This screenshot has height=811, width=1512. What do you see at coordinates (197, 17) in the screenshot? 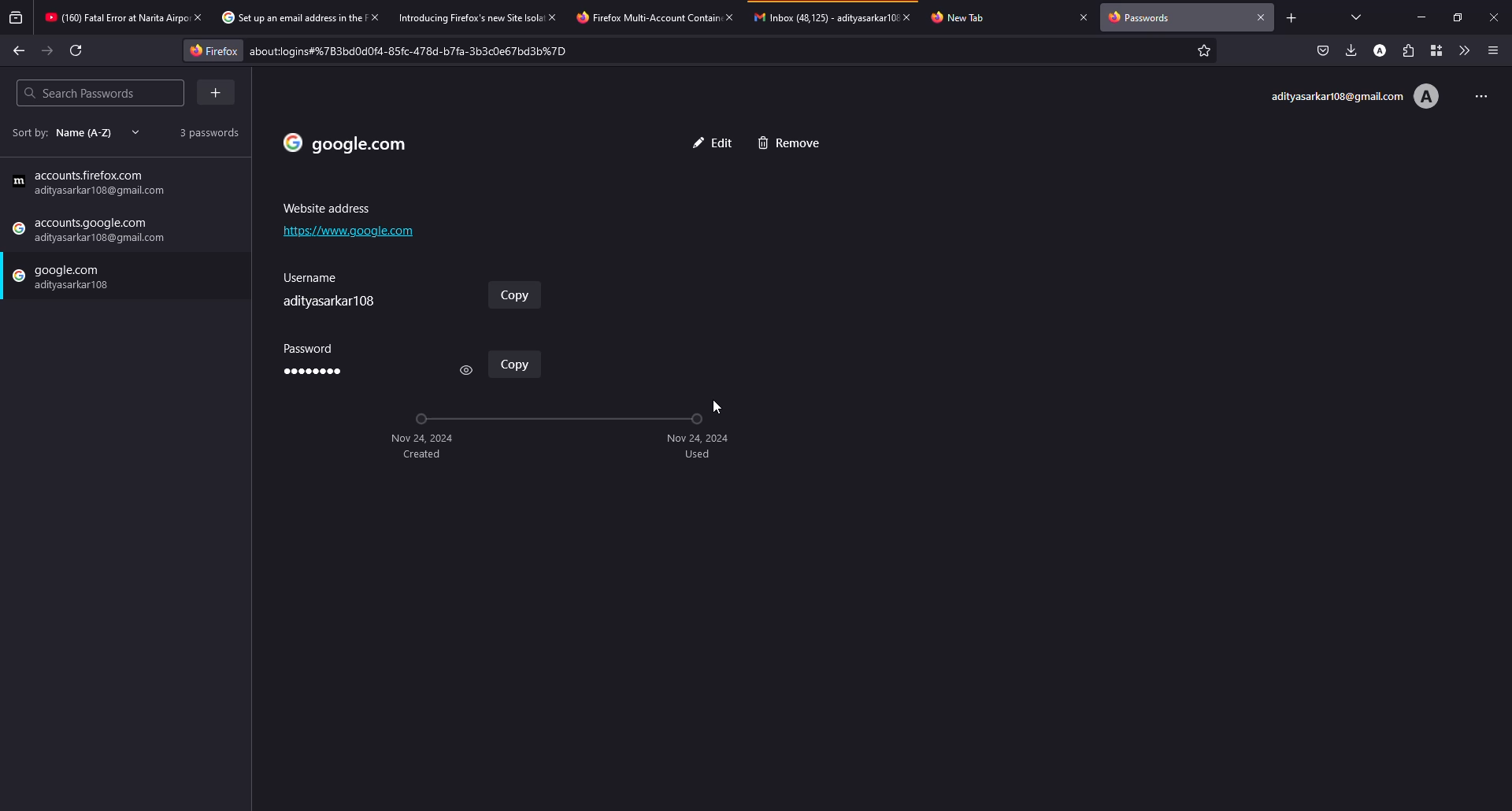
I see `close` at bounding box center [197, 17].